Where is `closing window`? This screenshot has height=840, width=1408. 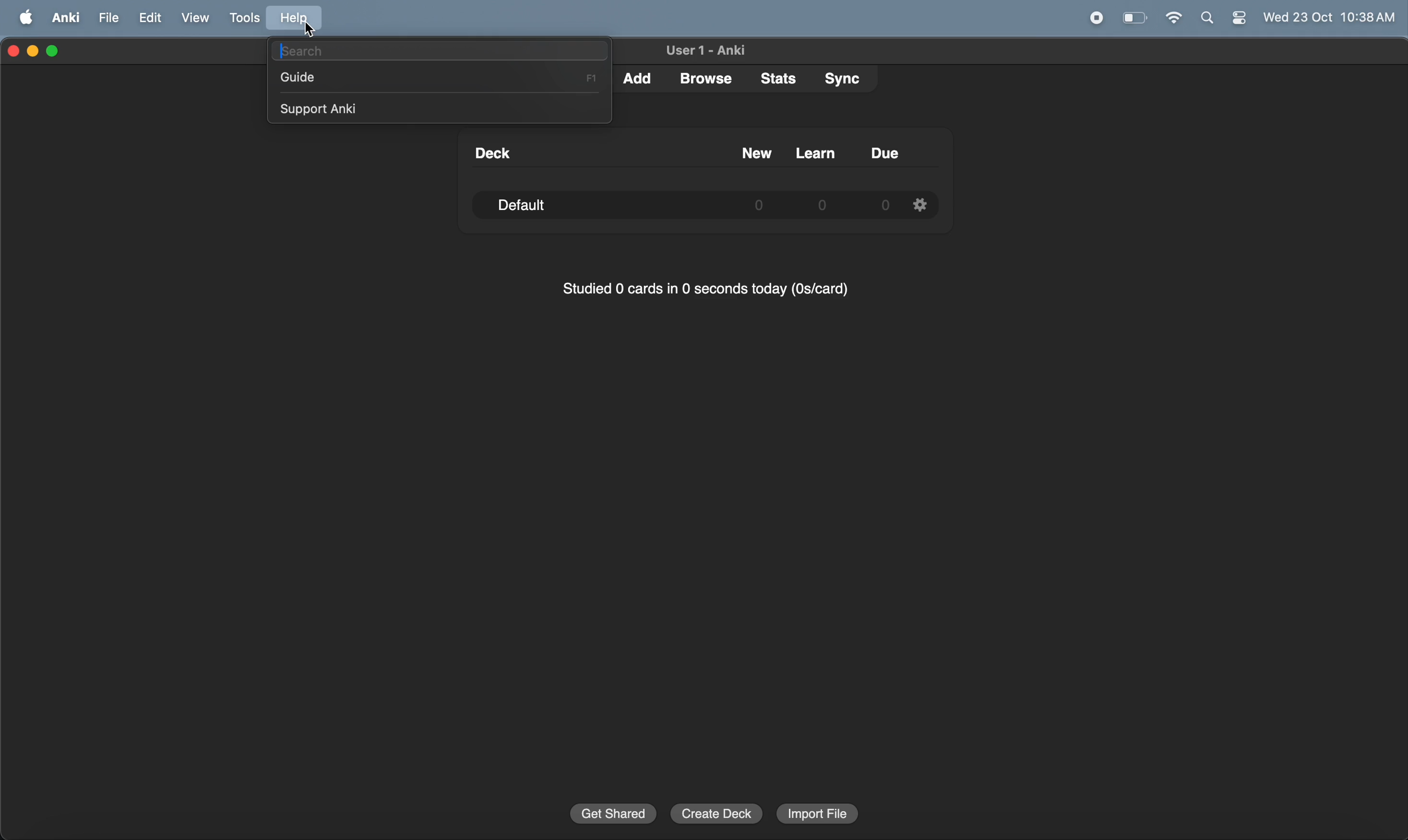 closing window is located at coordinates (14, 52).